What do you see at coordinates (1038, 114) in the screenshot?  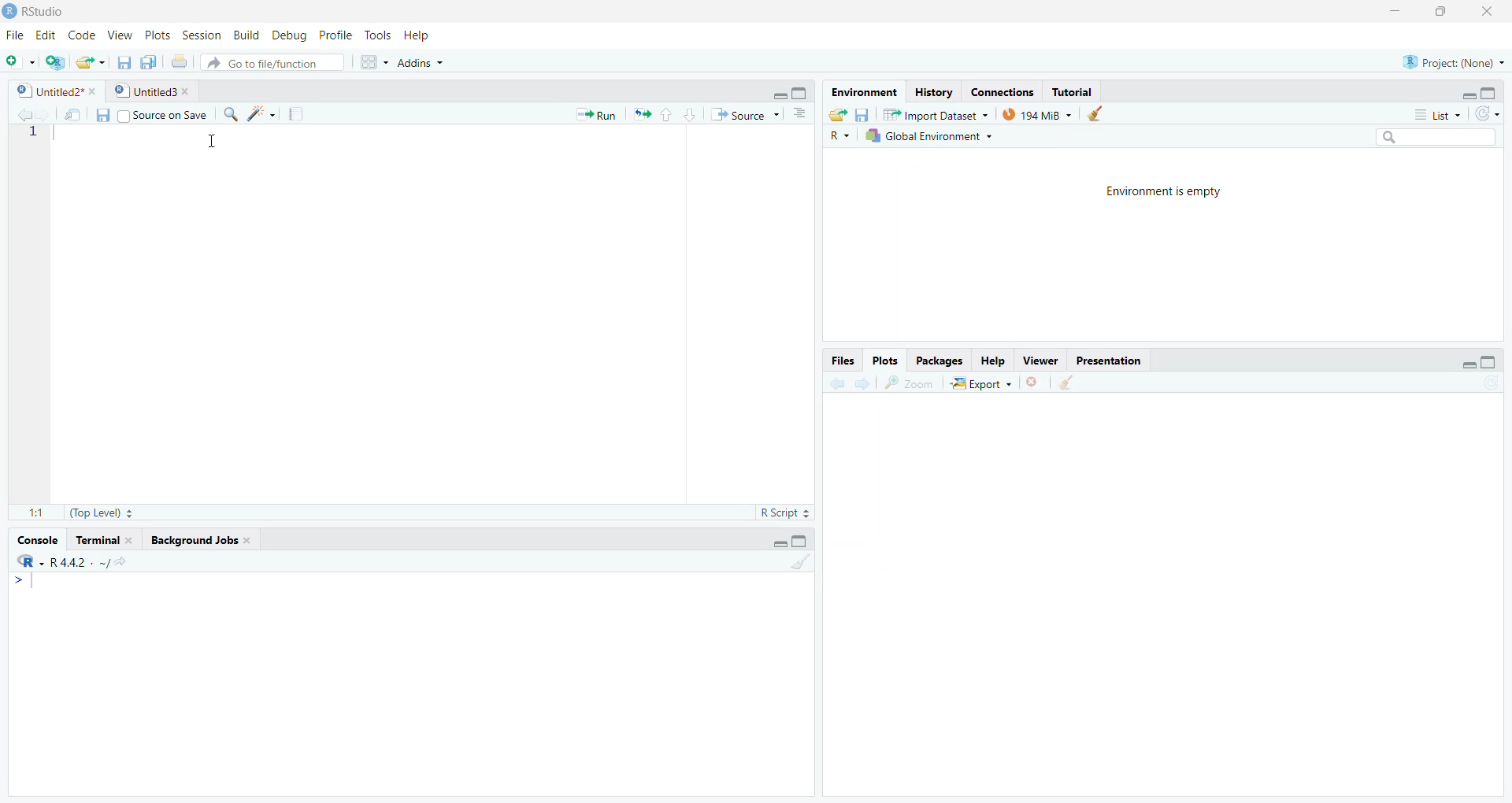 I see `194 MiB` at bounding box center [1038, 114].